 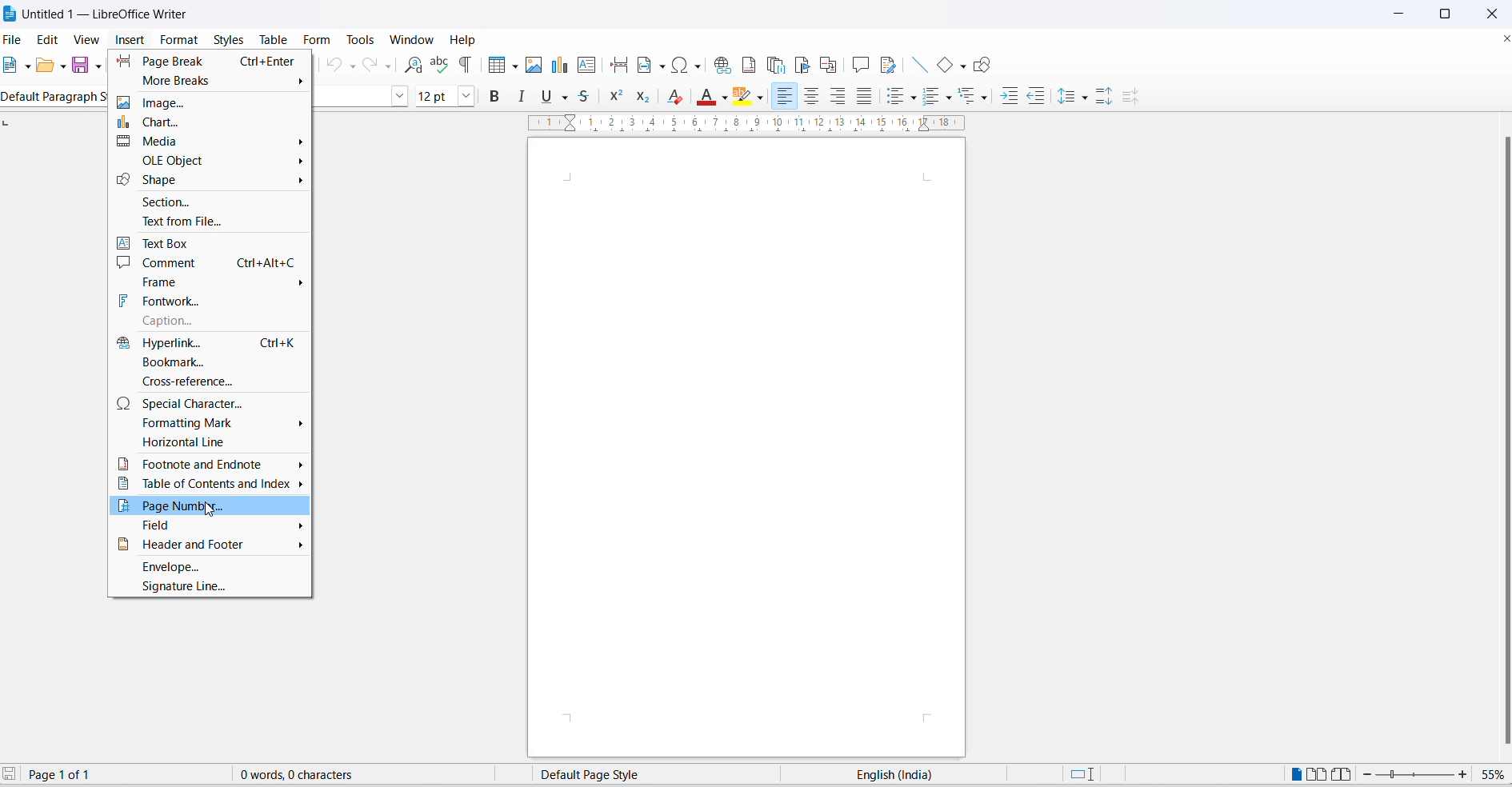 What do you see at coordinates (209, 509) in the screenshot?
I see `cursor` at bounding box center [209, 509].